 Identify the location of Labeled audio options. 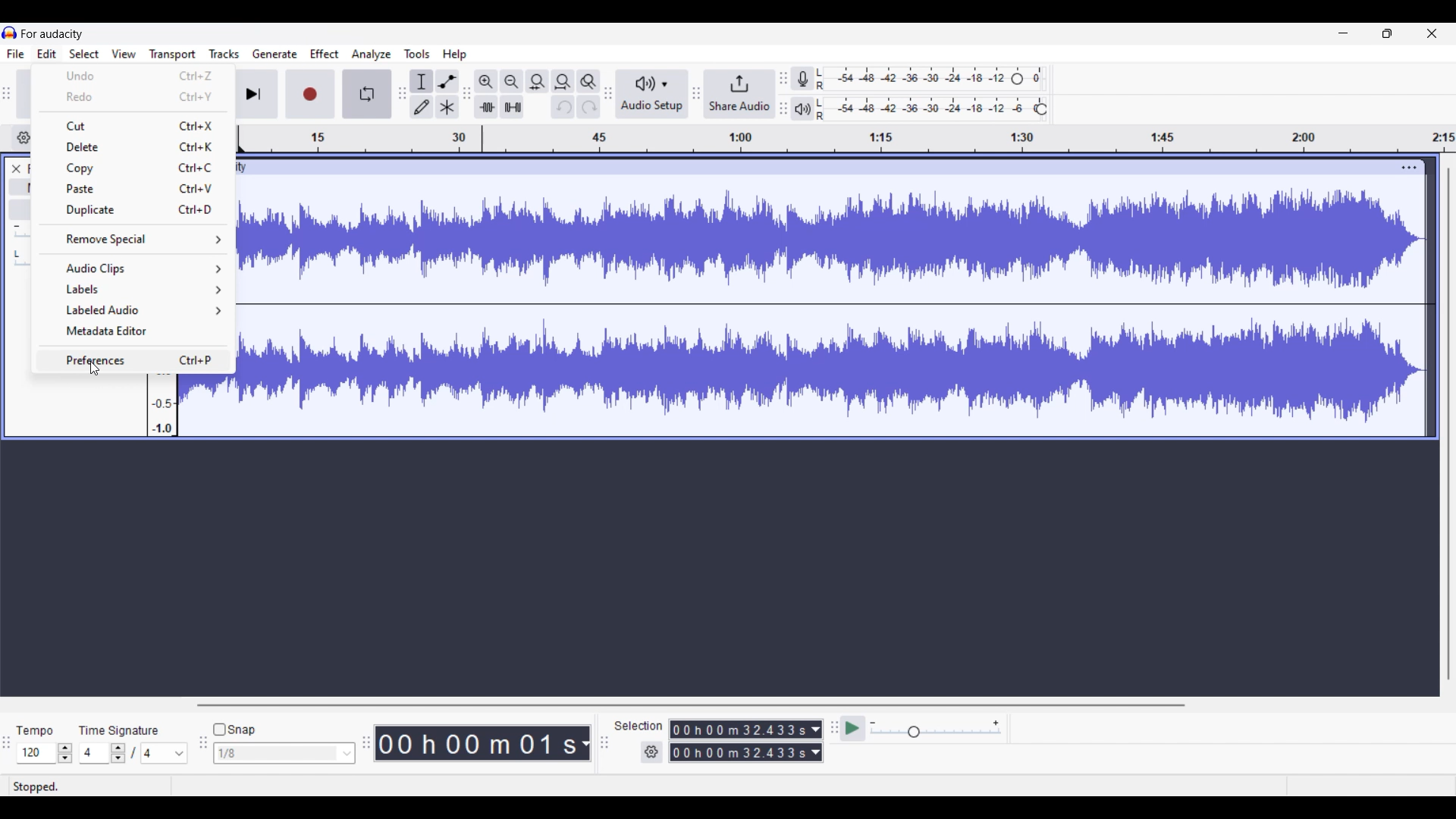
(133, 310).